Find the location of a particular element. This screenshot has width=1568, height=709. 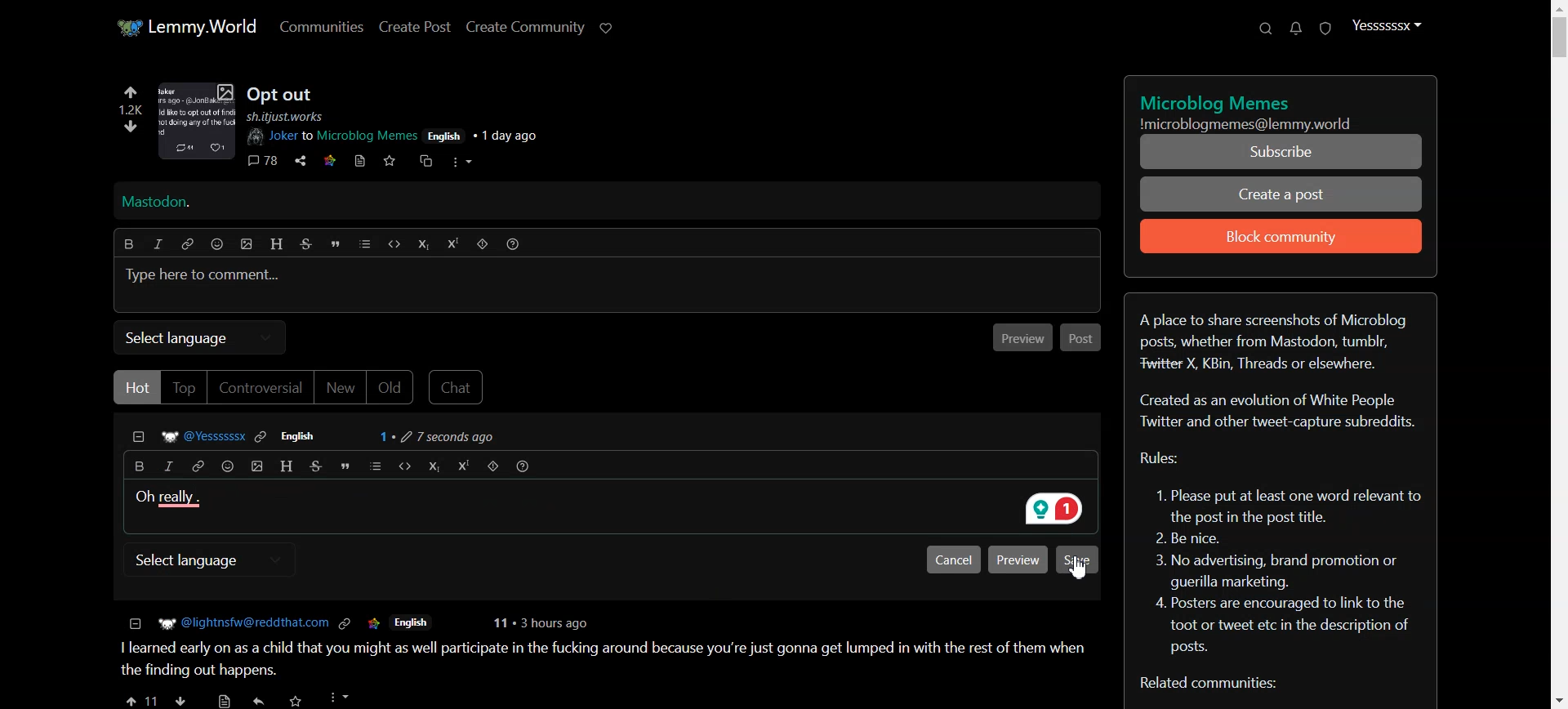

Mastodon Hyperlink  is located at coordinates (619, 200).